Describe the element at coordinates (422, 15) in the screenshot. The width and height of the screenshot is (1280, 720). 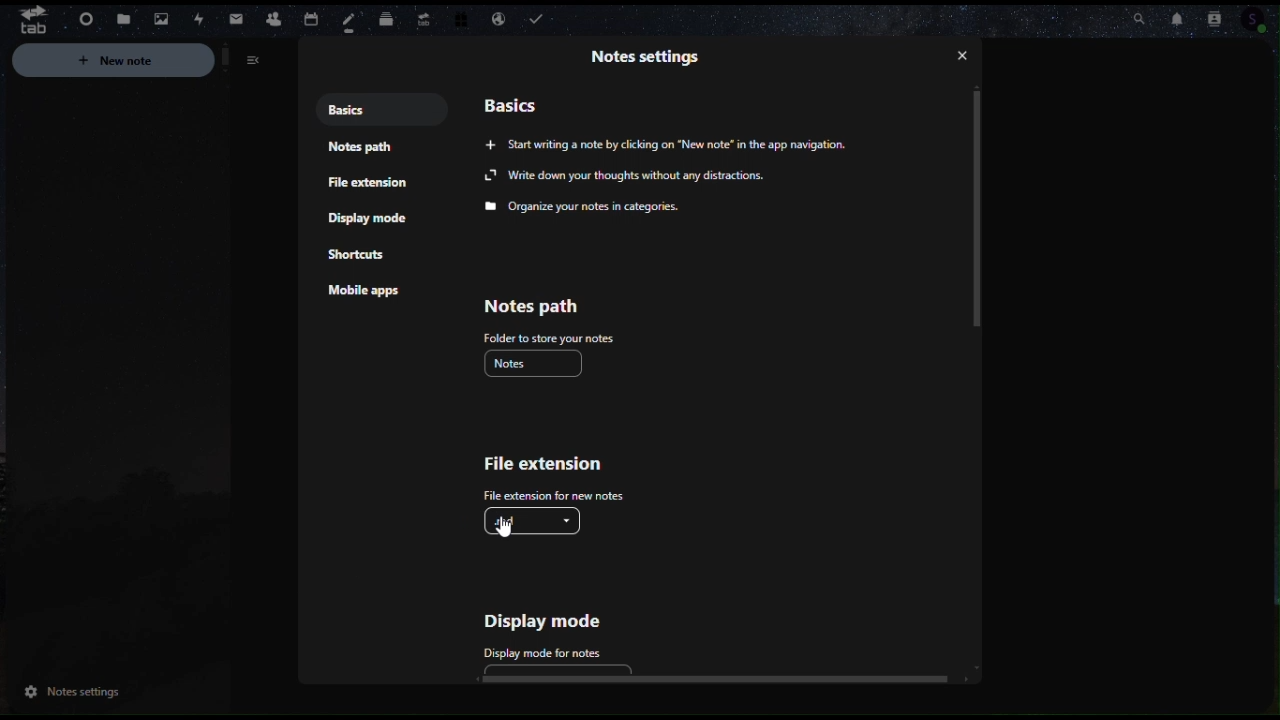
I see `Upgrade` at that location.